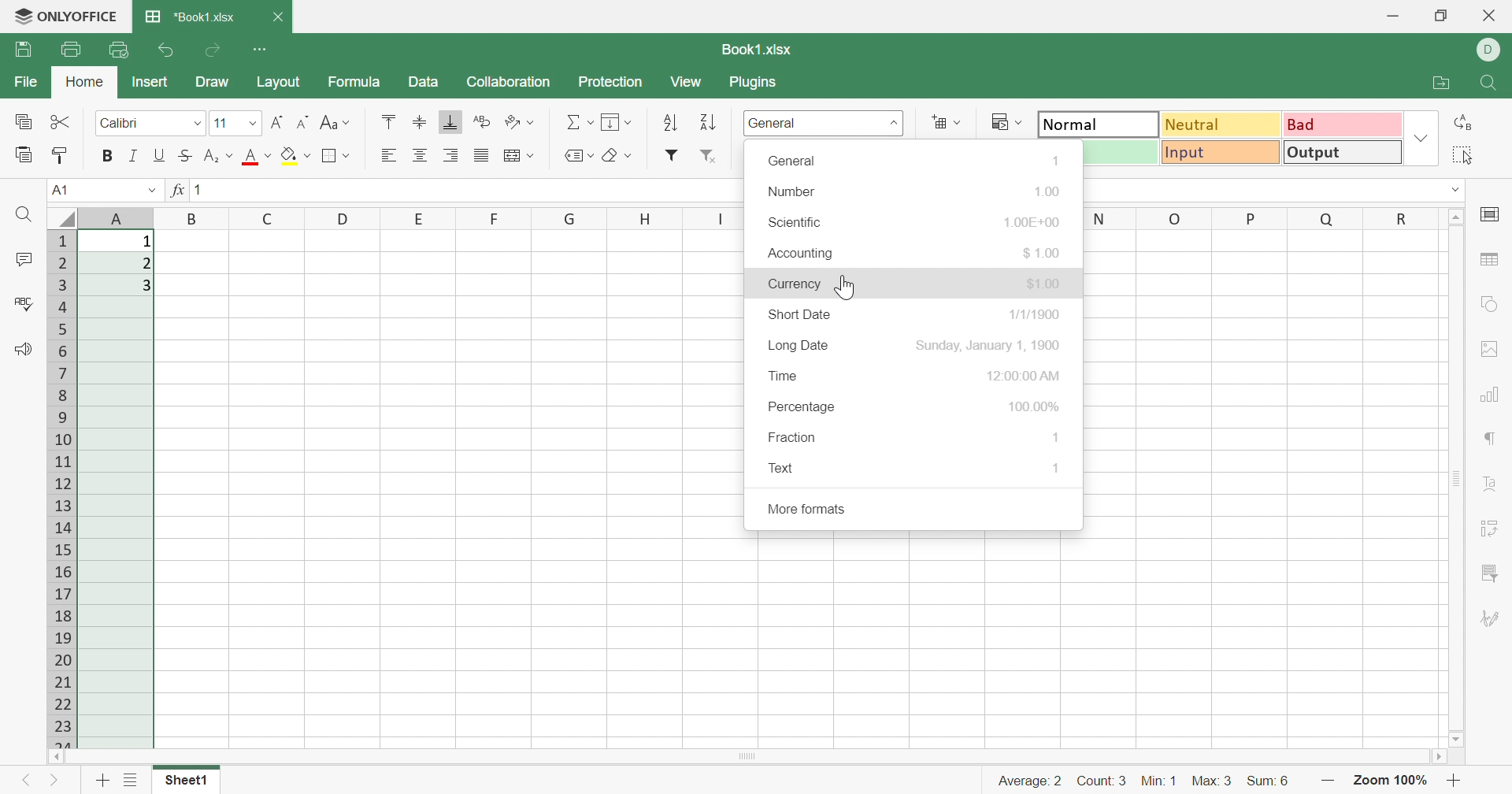 The width and height of the screenshot is (1512, 794). What do you see at coordinates (102, 783) in the screenshot?
I see `Add sheet` at bounding box center [102, 783].